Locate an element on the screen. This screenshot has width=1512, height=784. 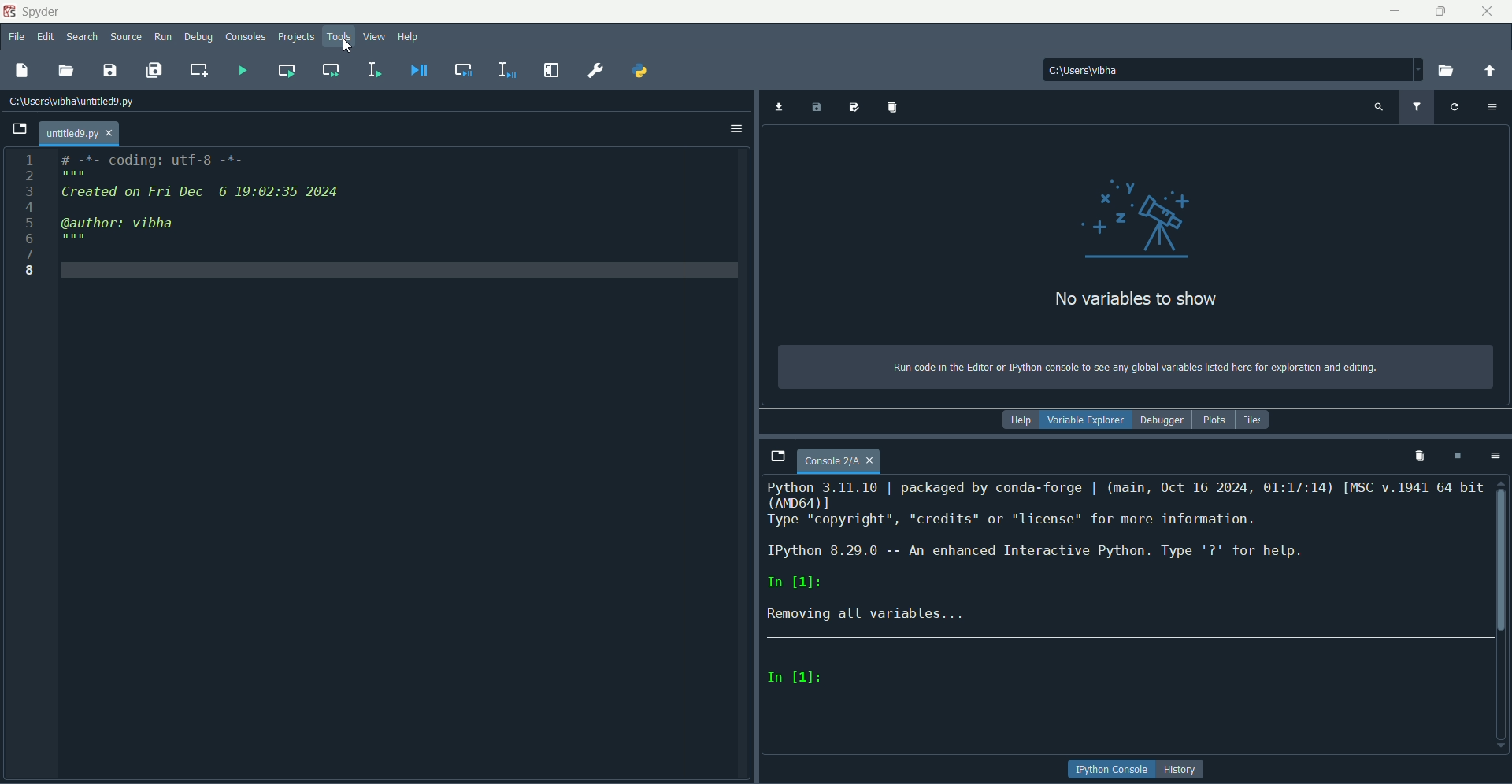
files is located at coordinates (1254, 420).